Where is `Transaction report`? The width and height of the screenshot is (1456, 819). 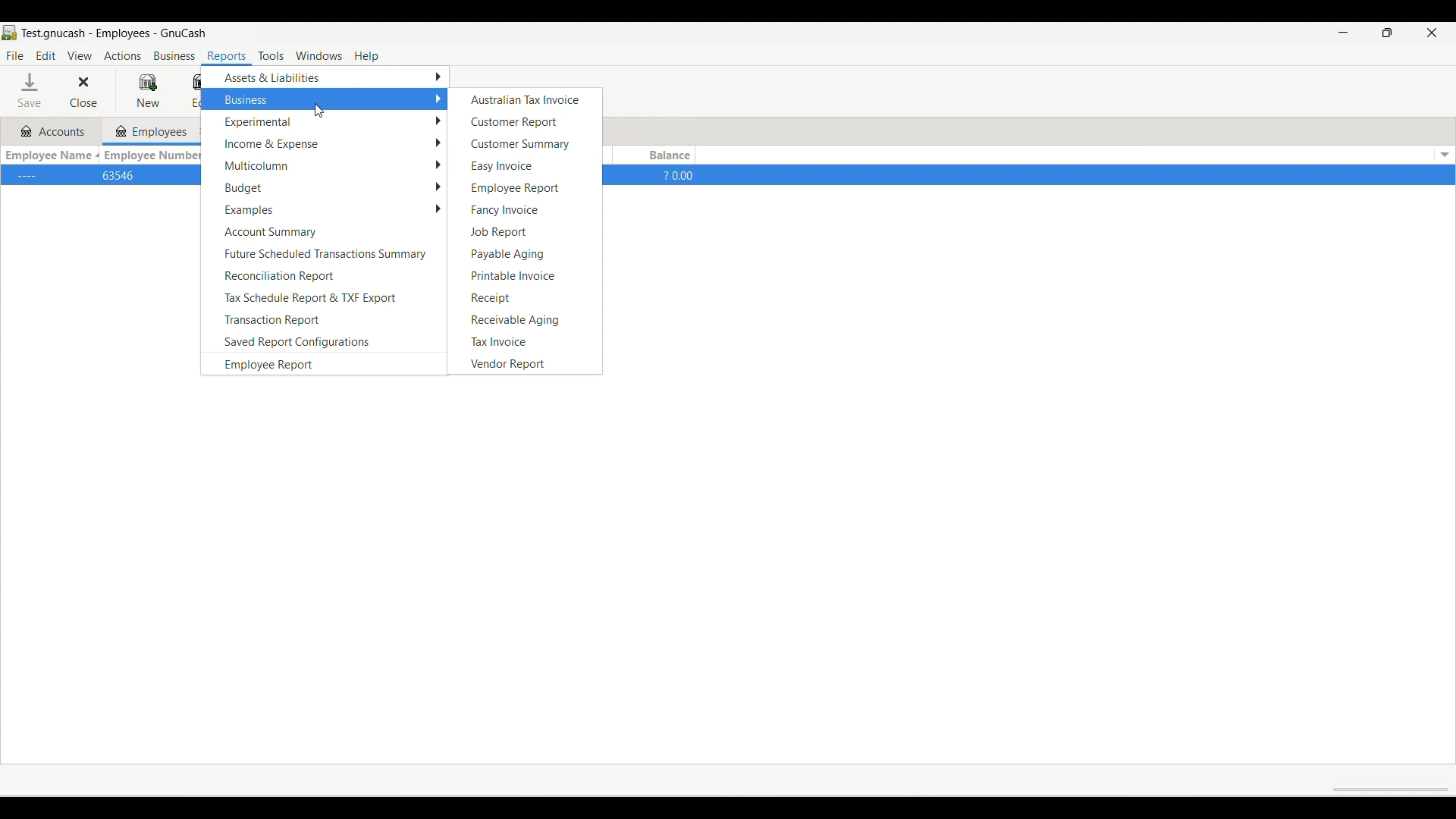
Transaction report is located at coordinates (325, 319).